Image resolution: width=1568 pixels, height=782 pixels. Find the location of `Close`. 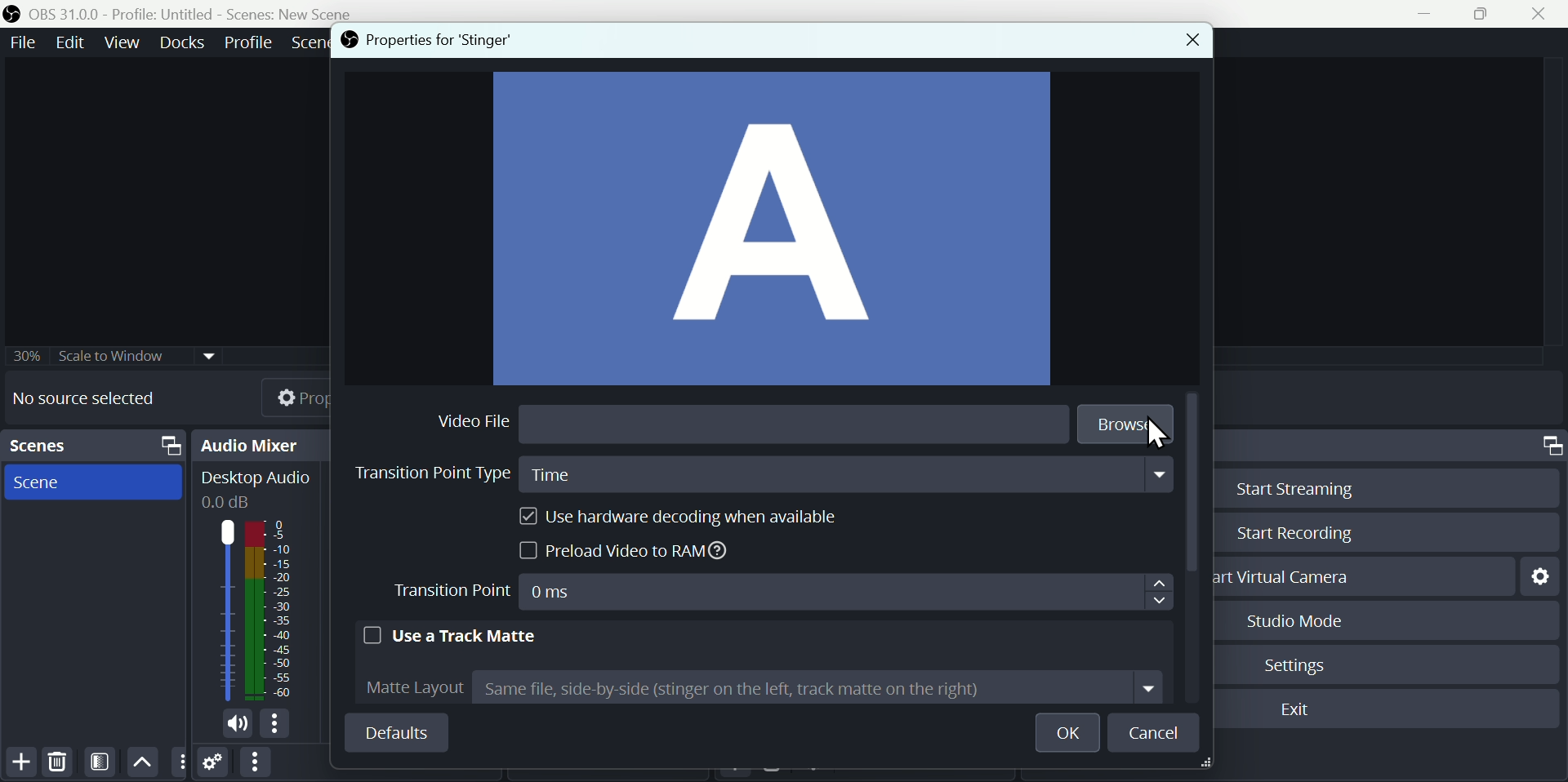

Close is located at coordinates (1185, 42).